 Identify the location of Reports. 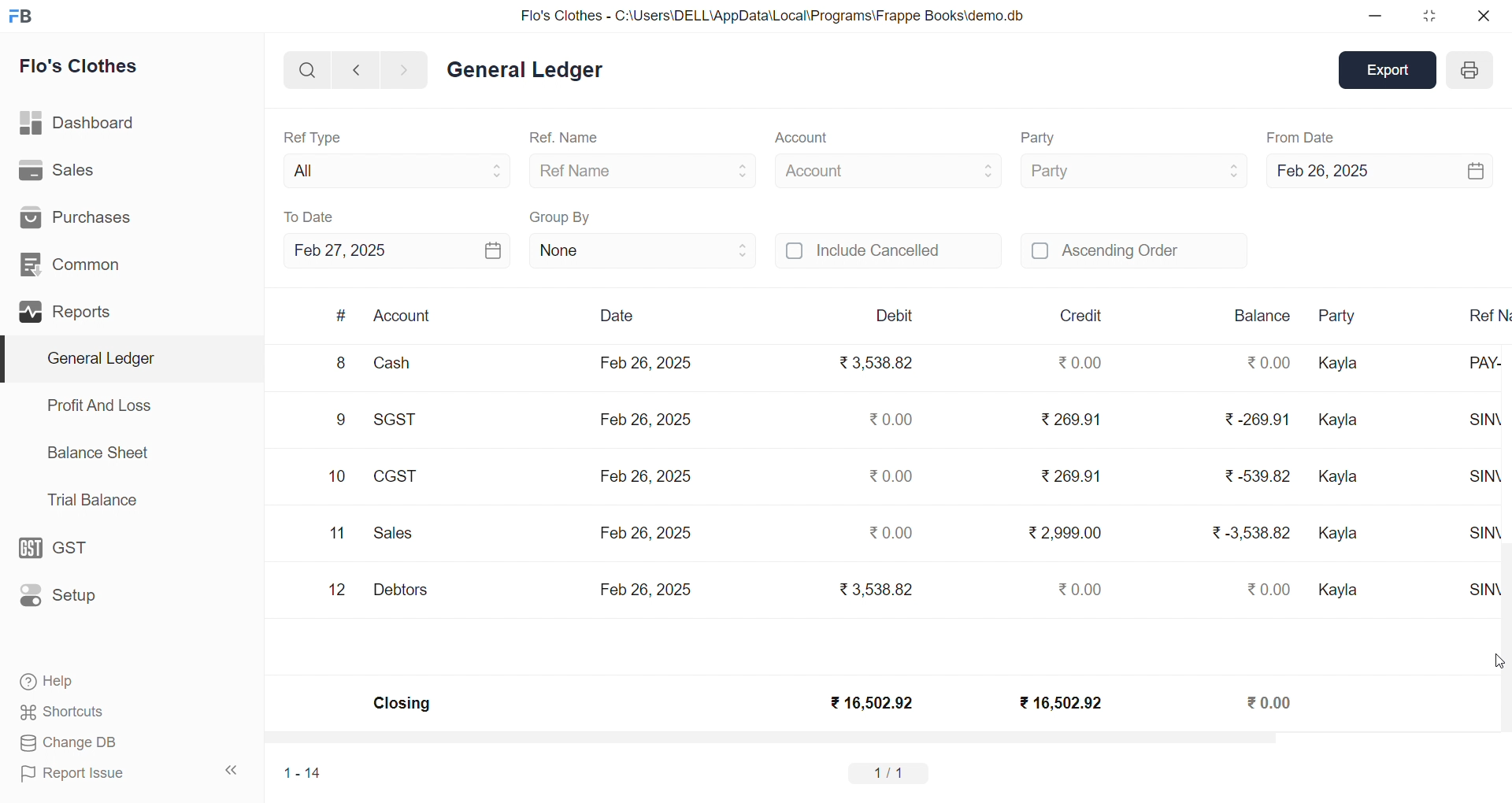
(68, 309).